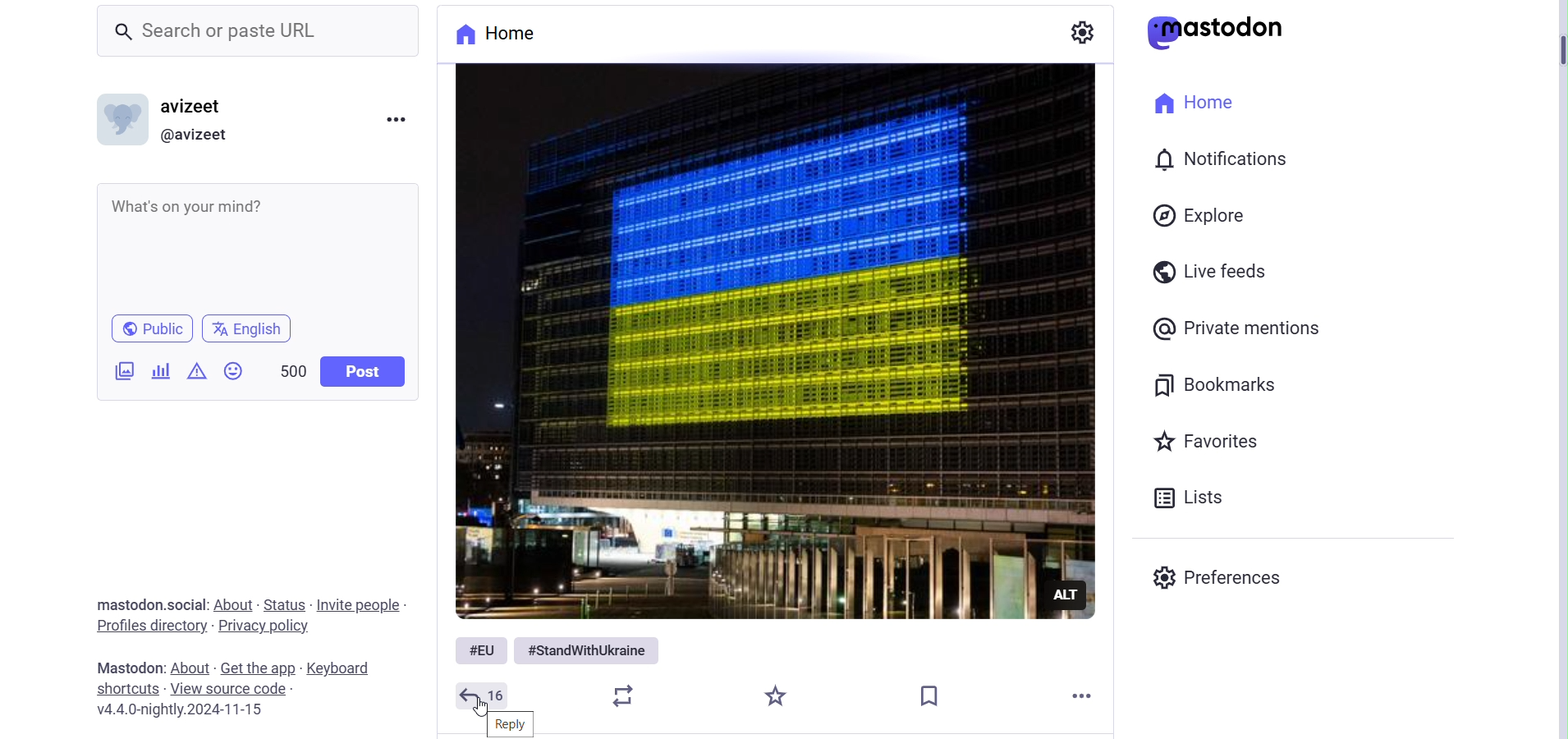 This screenshot has width=1568, height=739. Describe the element at coordinates (128, 690) in the screenshot. I see `Shortcuts` at that location.